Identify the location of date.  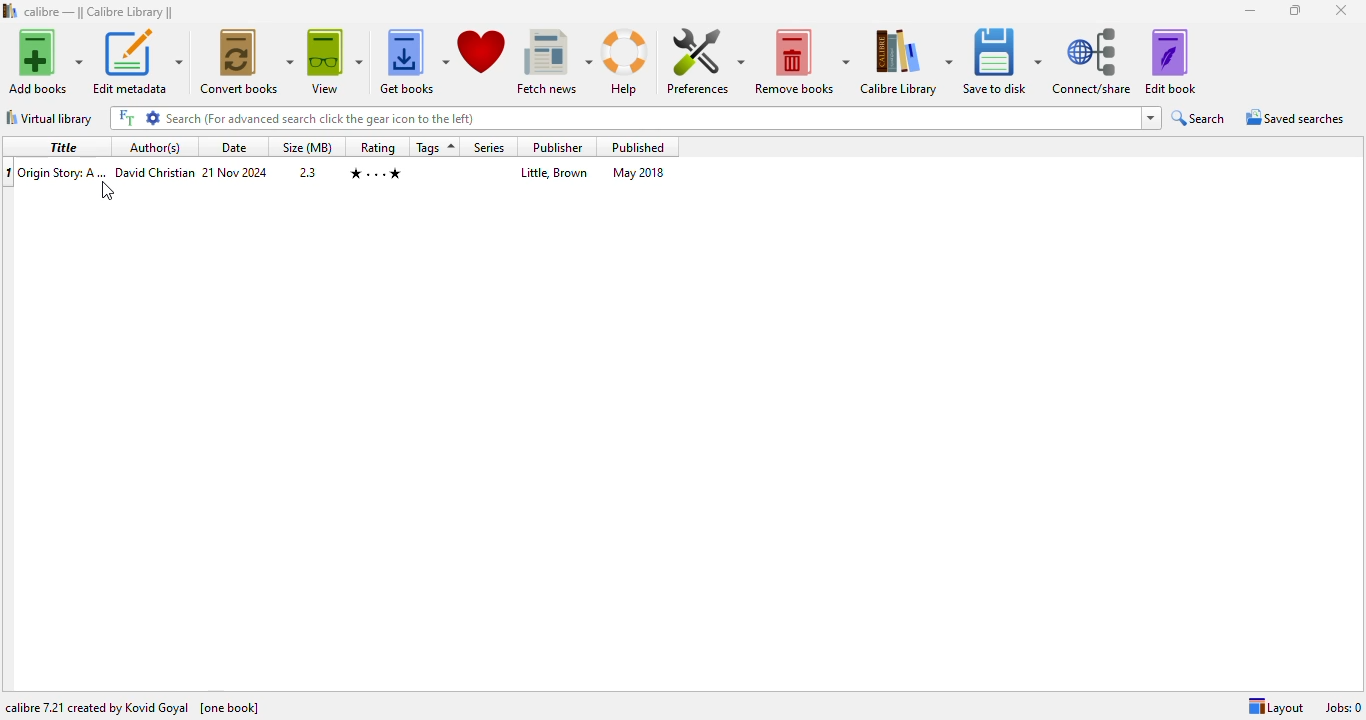
(234, 148).